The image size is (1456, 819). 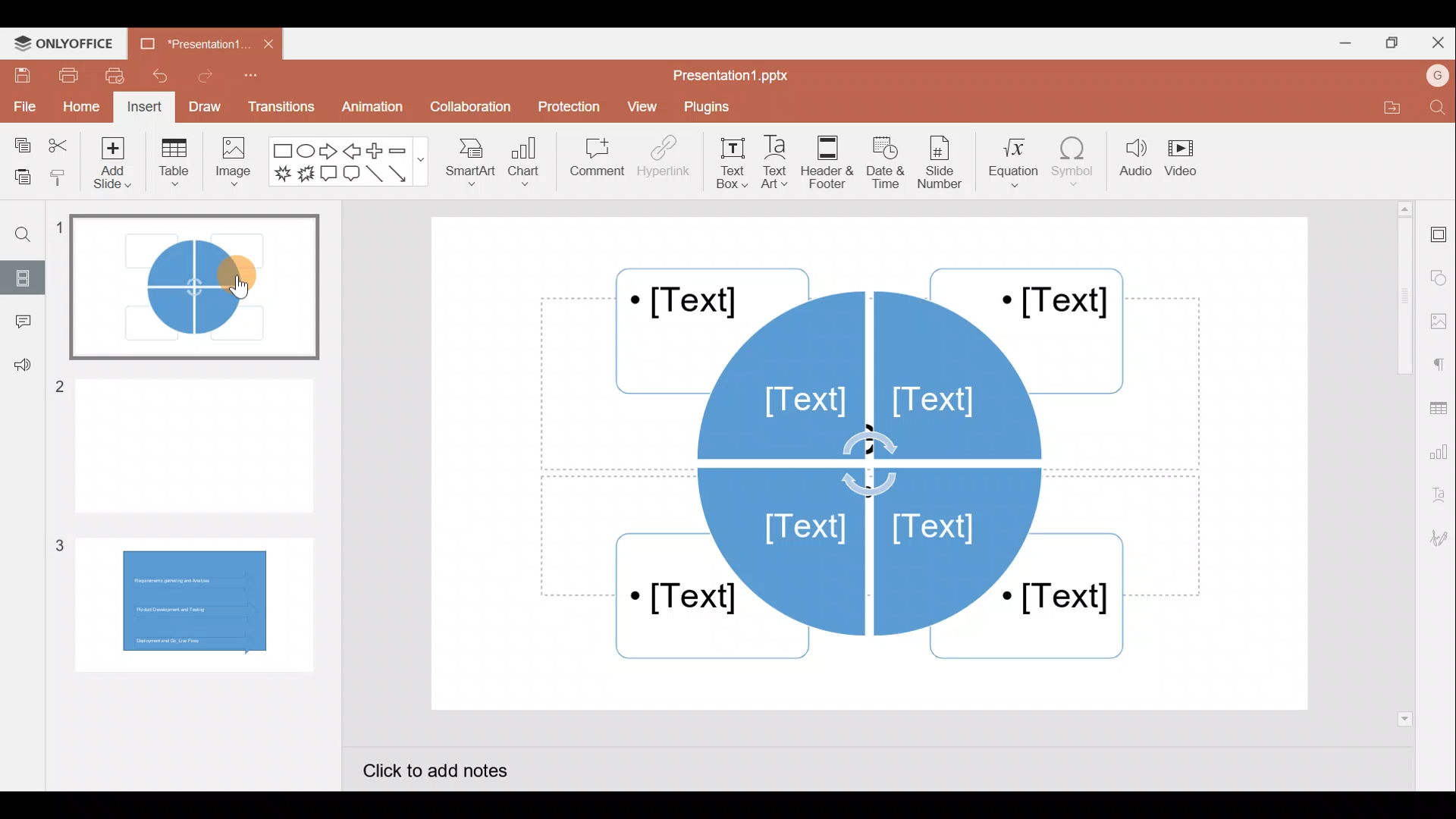 What do you see at coordinates (27, 275) in the screenshot?
I see `Slides` at bounding box center [27, 275].